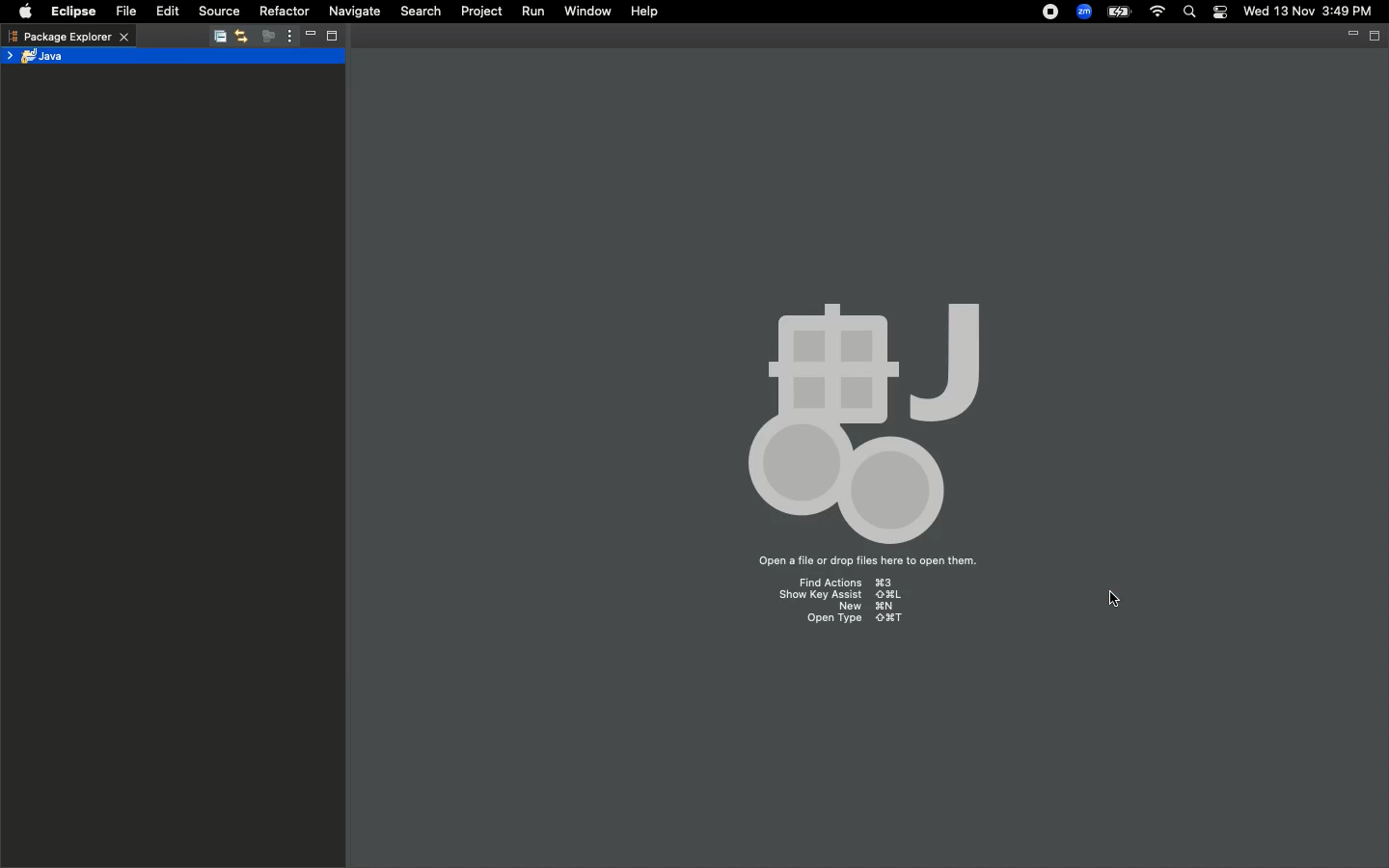 This screenshot has width=1389, height=868. What do you see at coordinates (843, 604) in the screenshot?
I see `Find action ⌘3 Show Key assist ⇧⌘L New ⌘N Open Type ⇧⌘T` at bounding box center [843, 604].